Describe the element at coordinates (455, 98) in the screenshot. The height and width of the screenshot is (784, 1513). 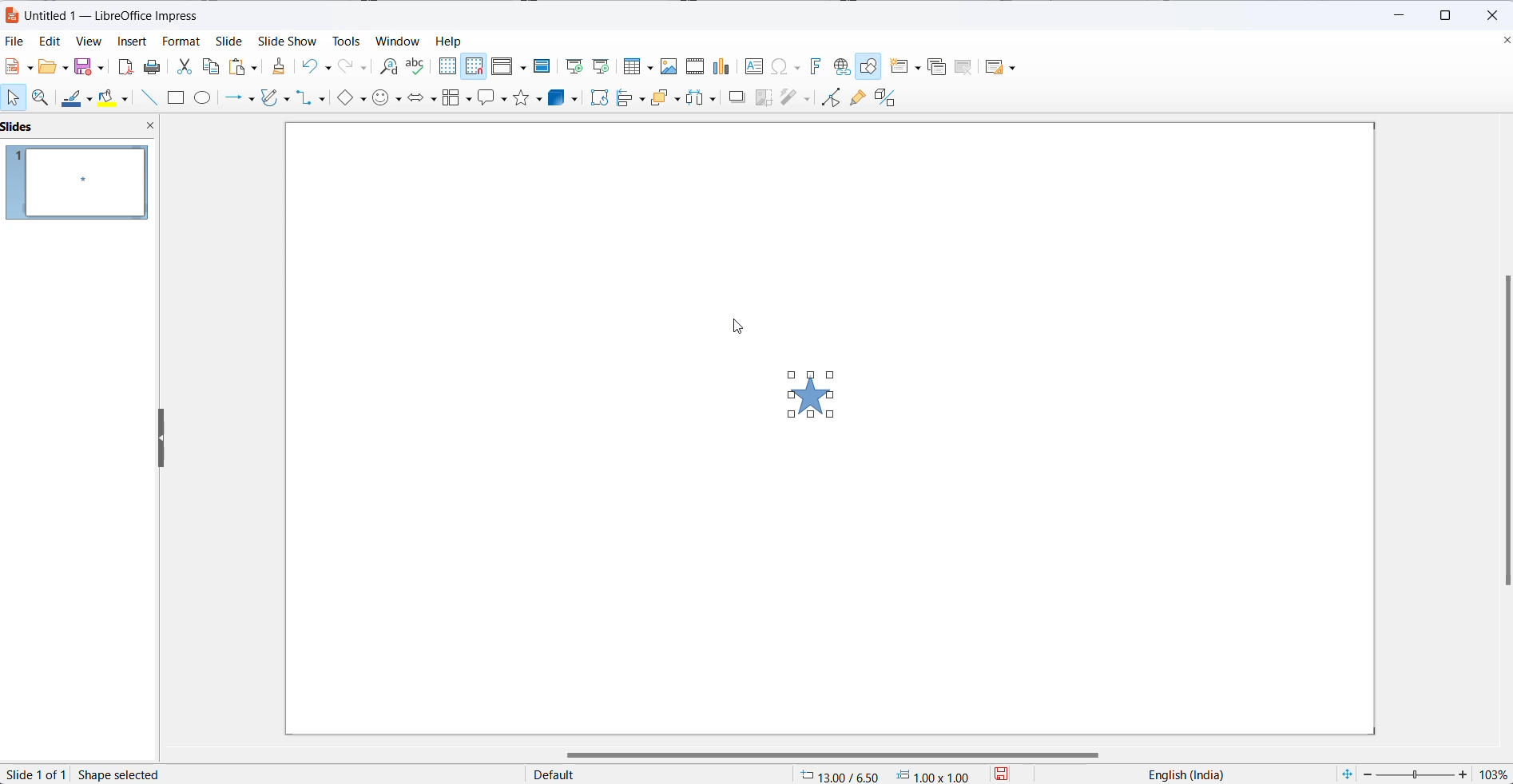
I see `flowchart` at that location.